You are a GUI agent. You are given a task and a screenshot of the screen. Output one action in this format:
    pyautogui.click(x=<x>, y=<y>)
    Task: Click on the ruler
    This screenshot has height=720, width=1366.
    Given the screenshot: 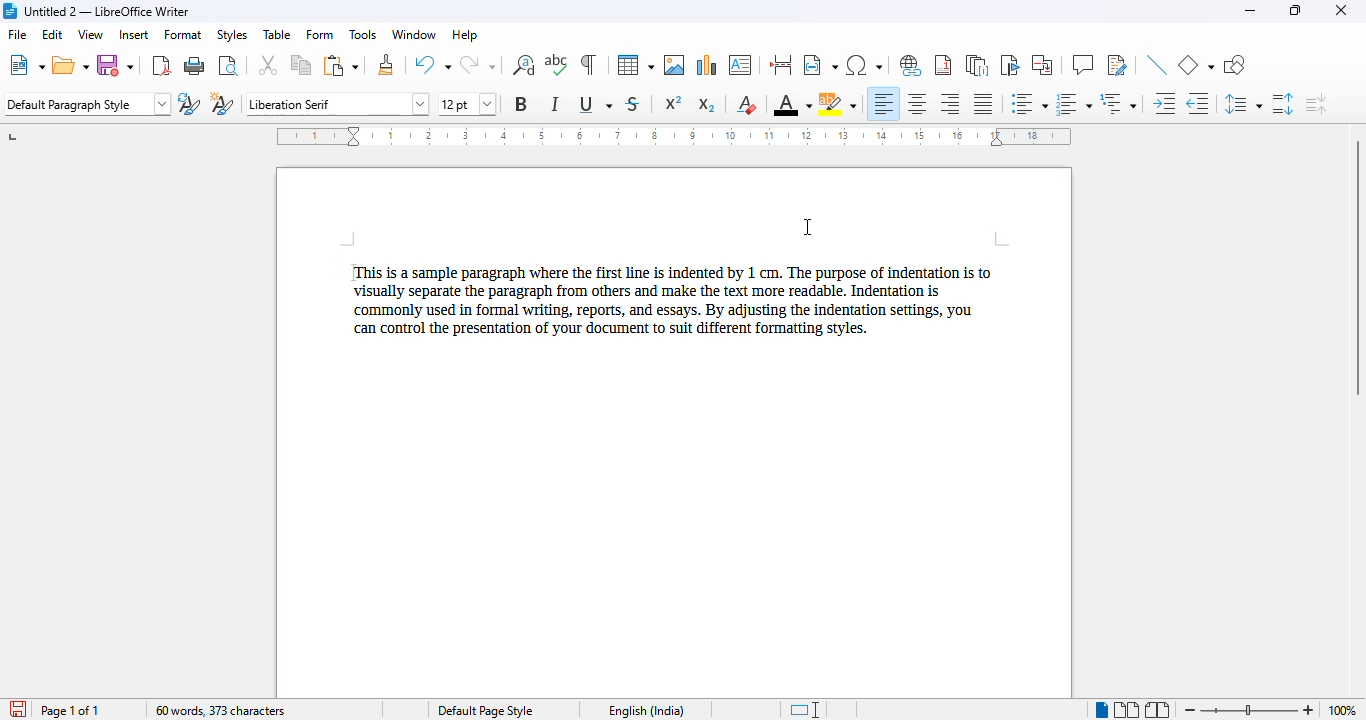 What is the action you would take?
    pyautogui.click(x=674, y=136)
    